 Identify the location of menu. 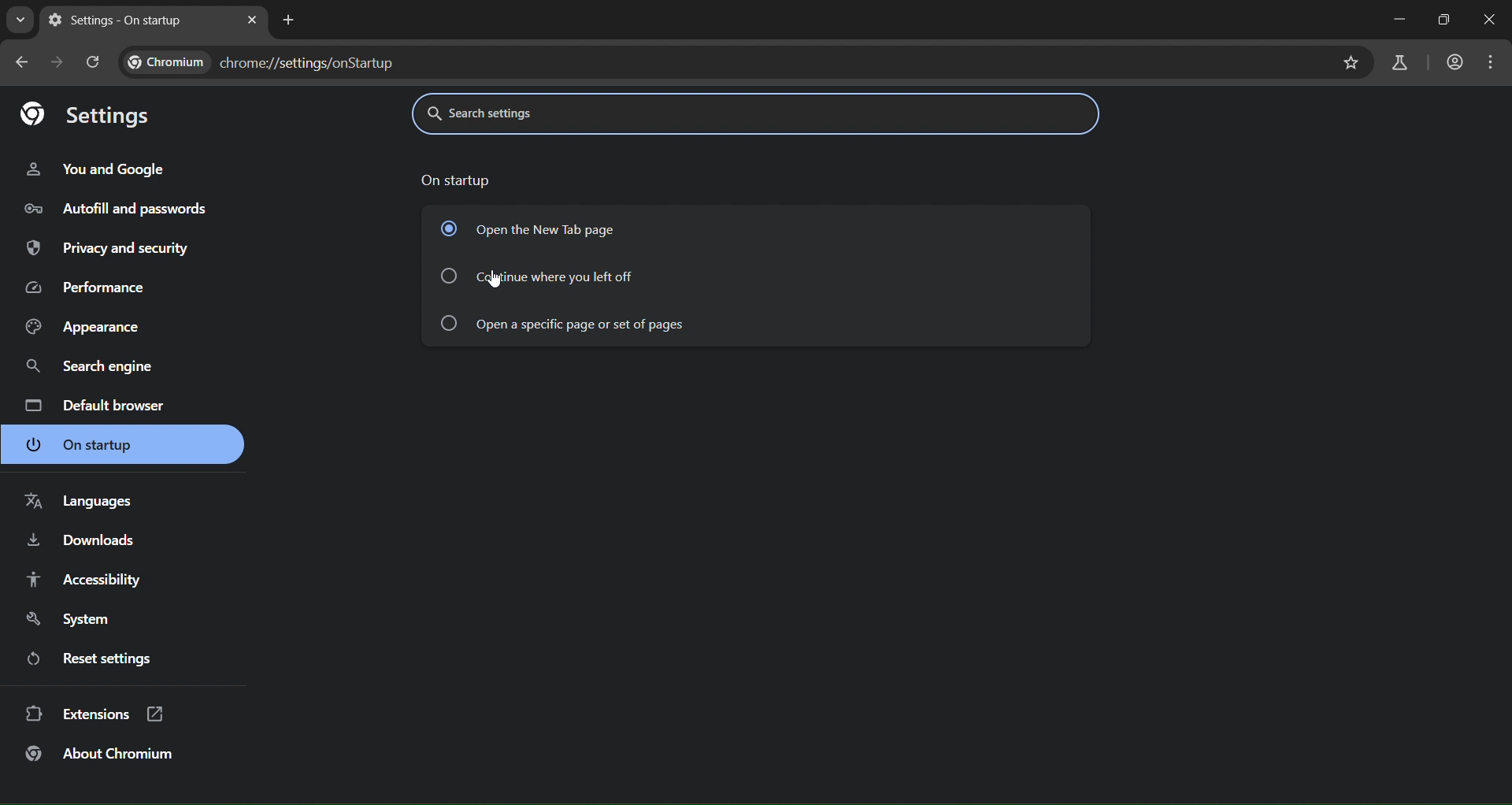
(1487, 61).